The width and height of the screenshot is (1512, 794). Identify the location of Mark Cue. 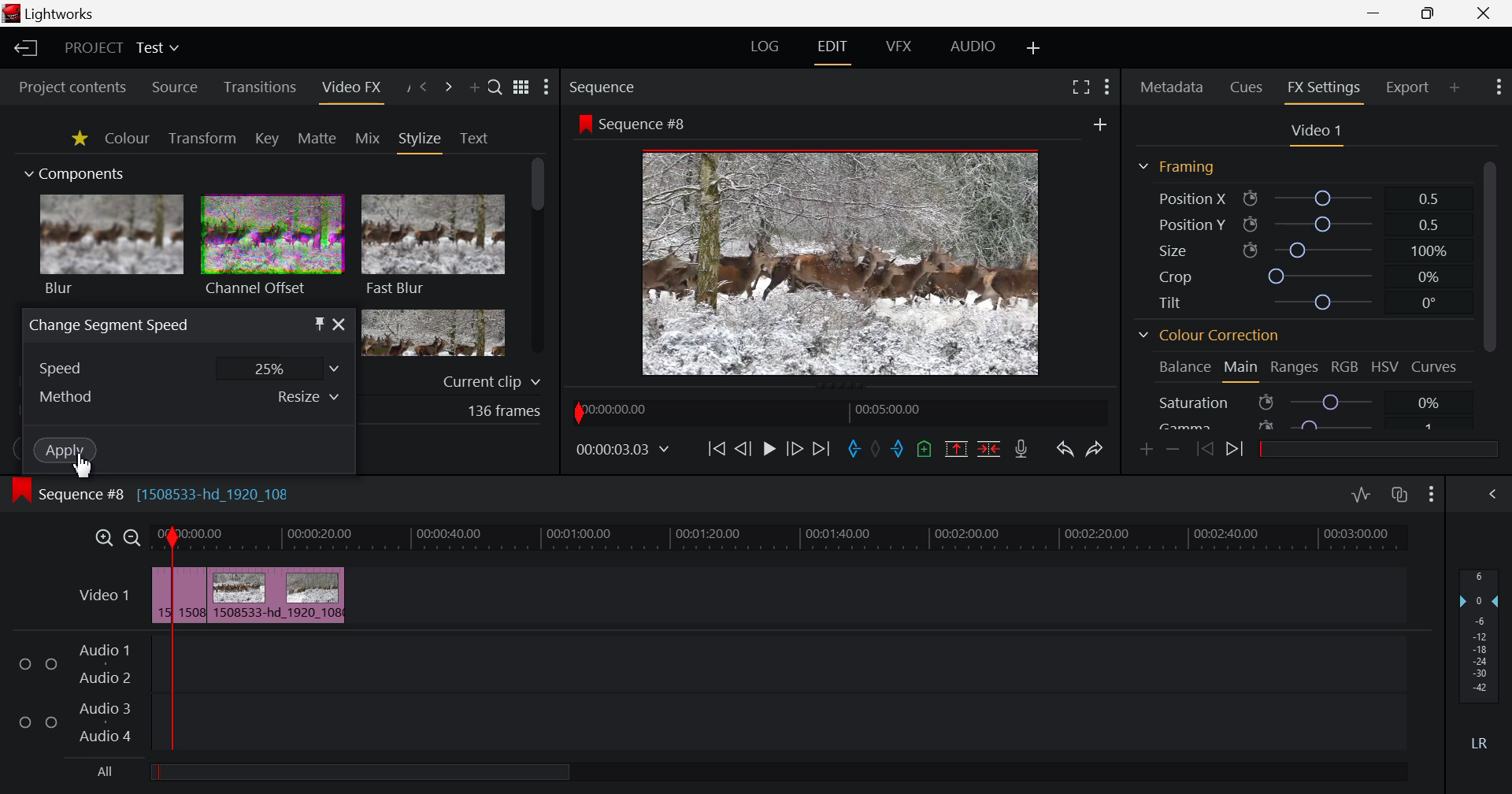
(925, 448).